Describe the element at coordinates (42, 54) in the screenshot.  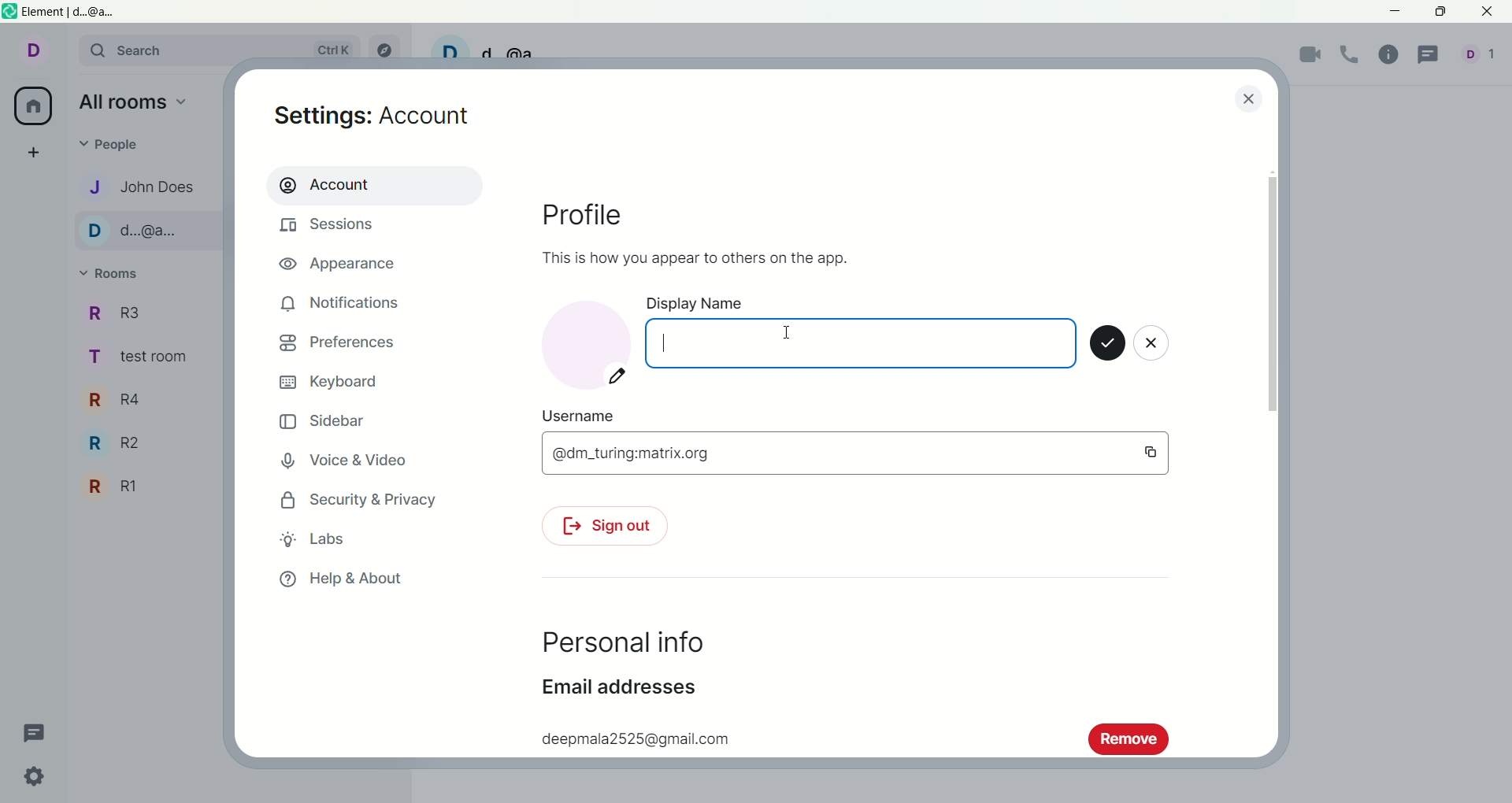
I see `account` at that location.